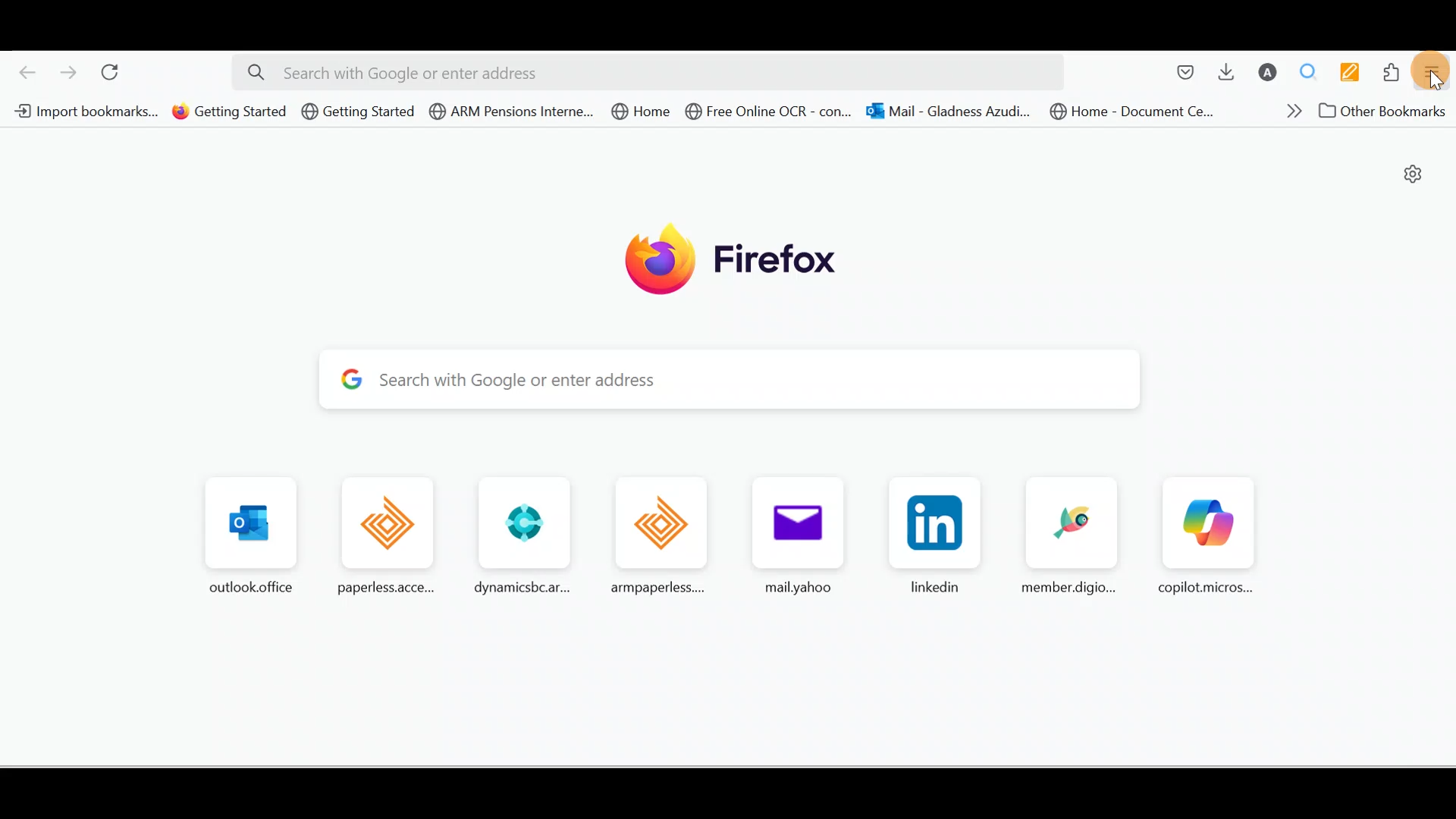 The height and width of the screenshot is (819, 1456). What do you see at coordinates (85, 111) in the screenshot?
I see `Bookmark 1` at bounding box center [85, 111].